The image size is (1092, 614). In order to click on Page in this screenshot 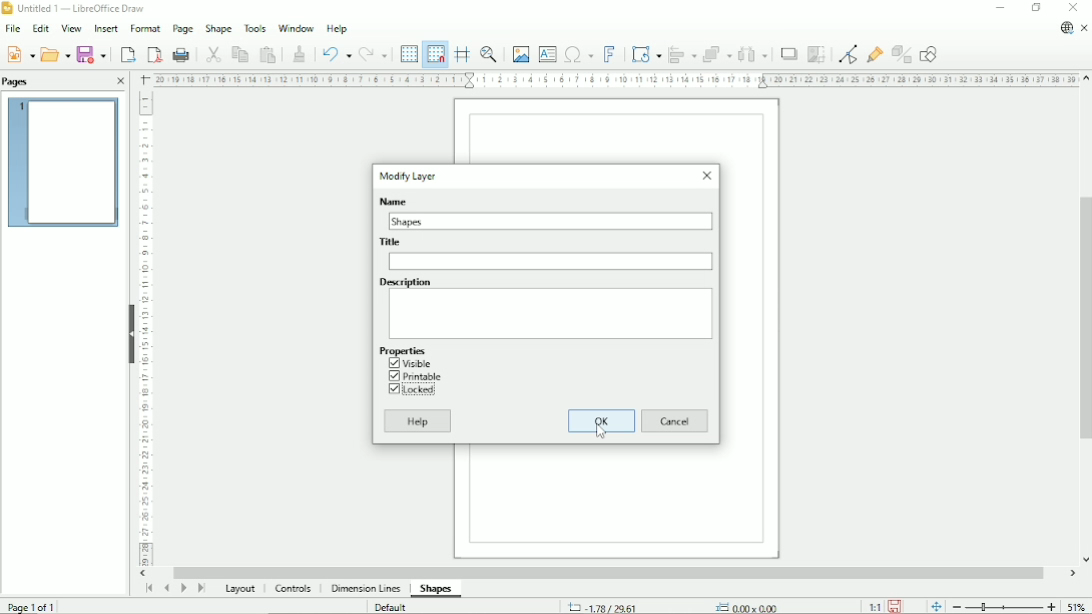, I will do `click(182, 29)`.